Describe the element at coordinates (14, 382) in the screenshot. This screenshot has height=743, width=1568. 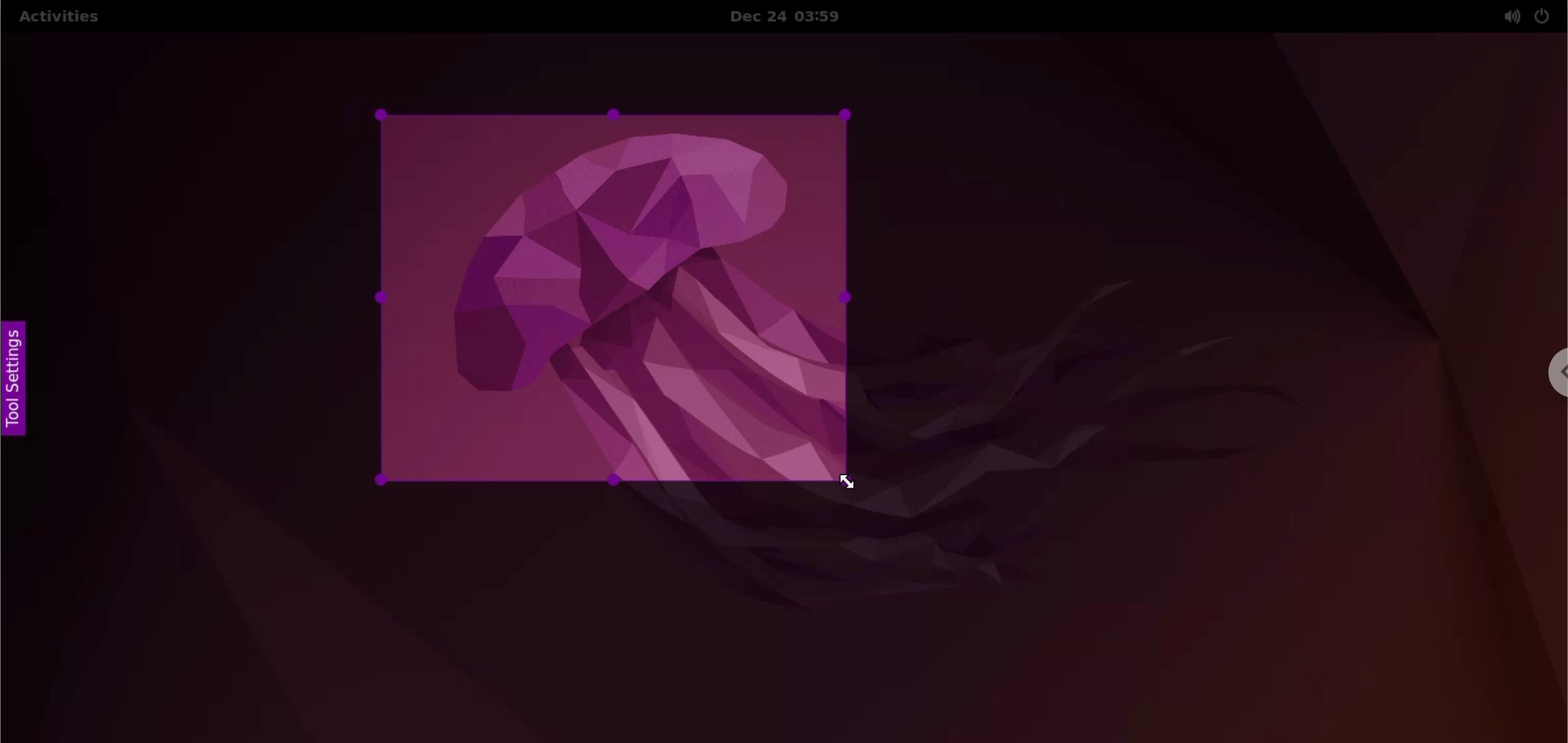
I see `tool settings ` at that location.